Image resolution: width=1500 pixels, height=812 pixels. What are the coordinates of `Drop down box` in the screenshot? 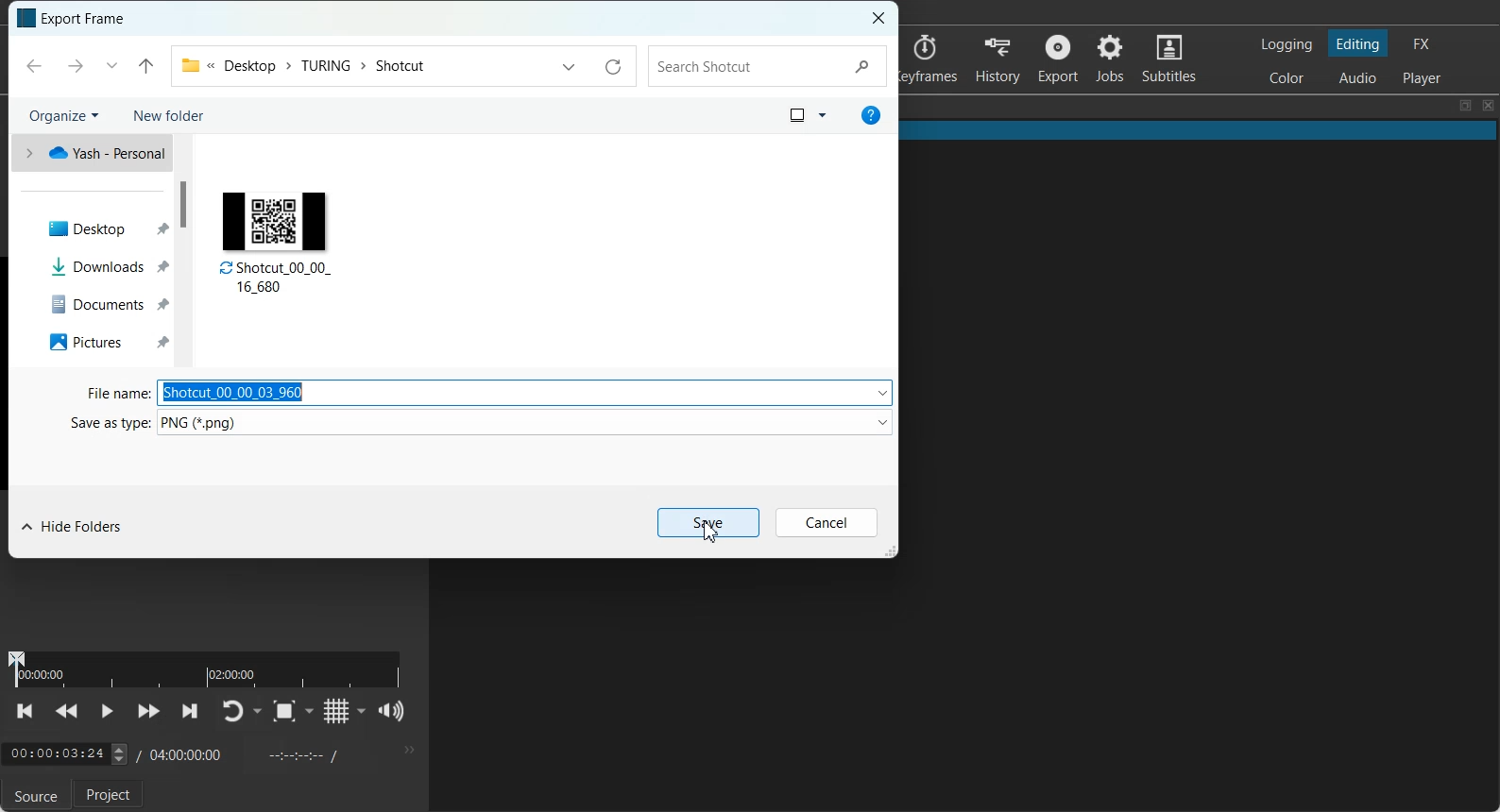 It's located at (259, 711).